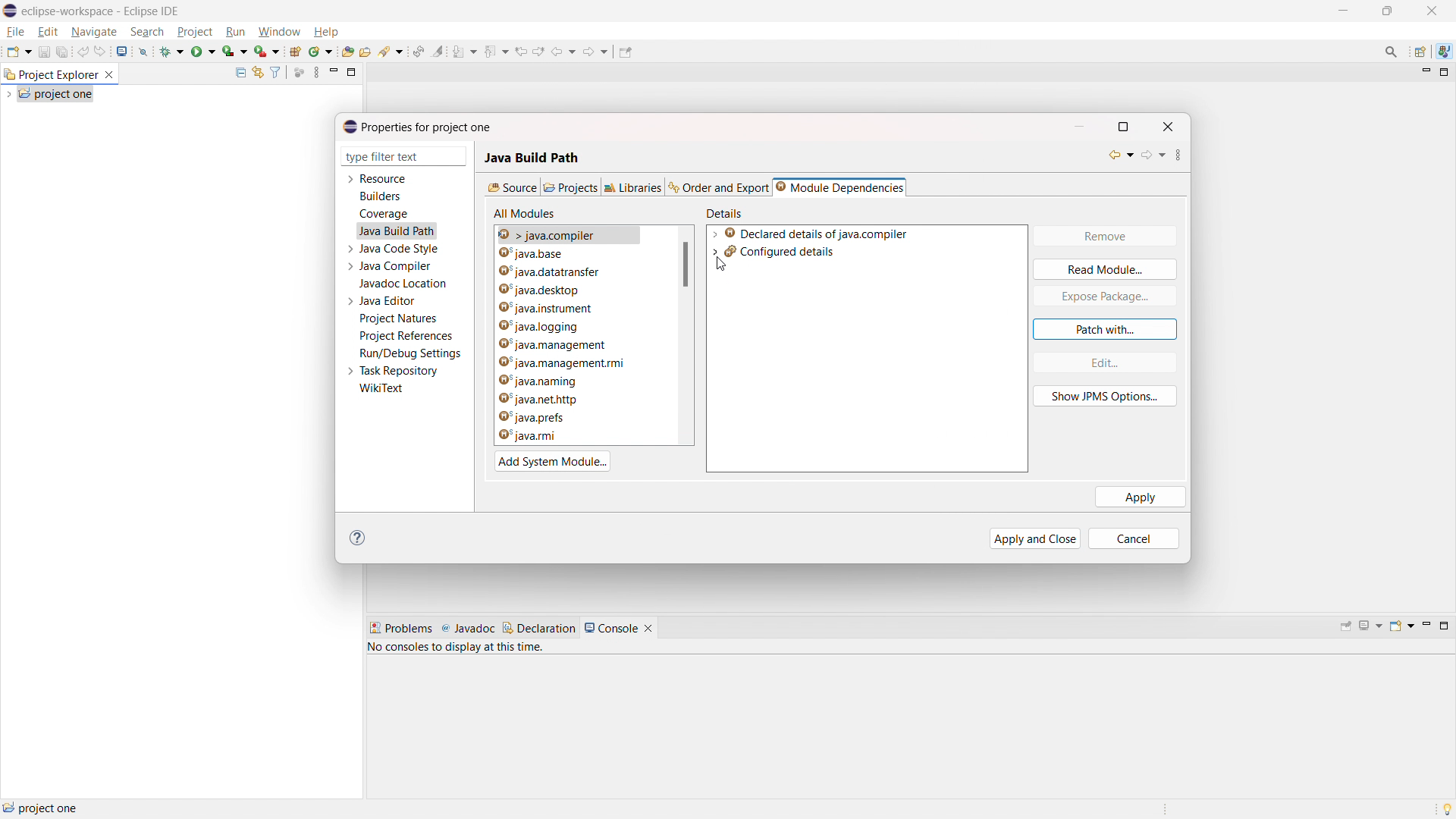 Image resolution: width=1456 pixels, height=819 pixels. Describe the element at coordinates (397, 266) in the screenshot. I see `java compiler` at that location.